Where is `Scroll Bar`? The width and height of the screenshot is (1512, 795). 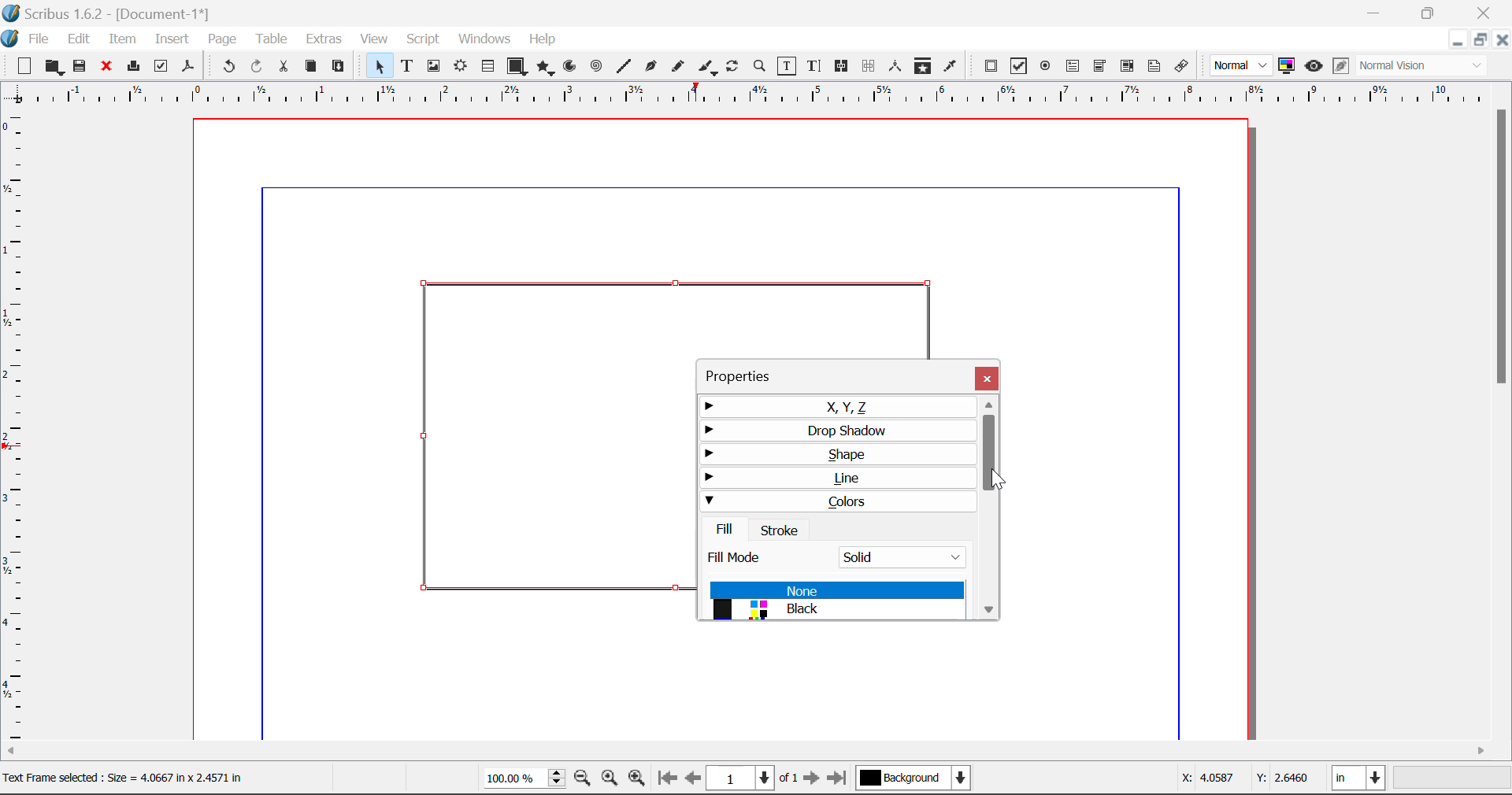 Scroll Bar is located at coordinates (992, 508).